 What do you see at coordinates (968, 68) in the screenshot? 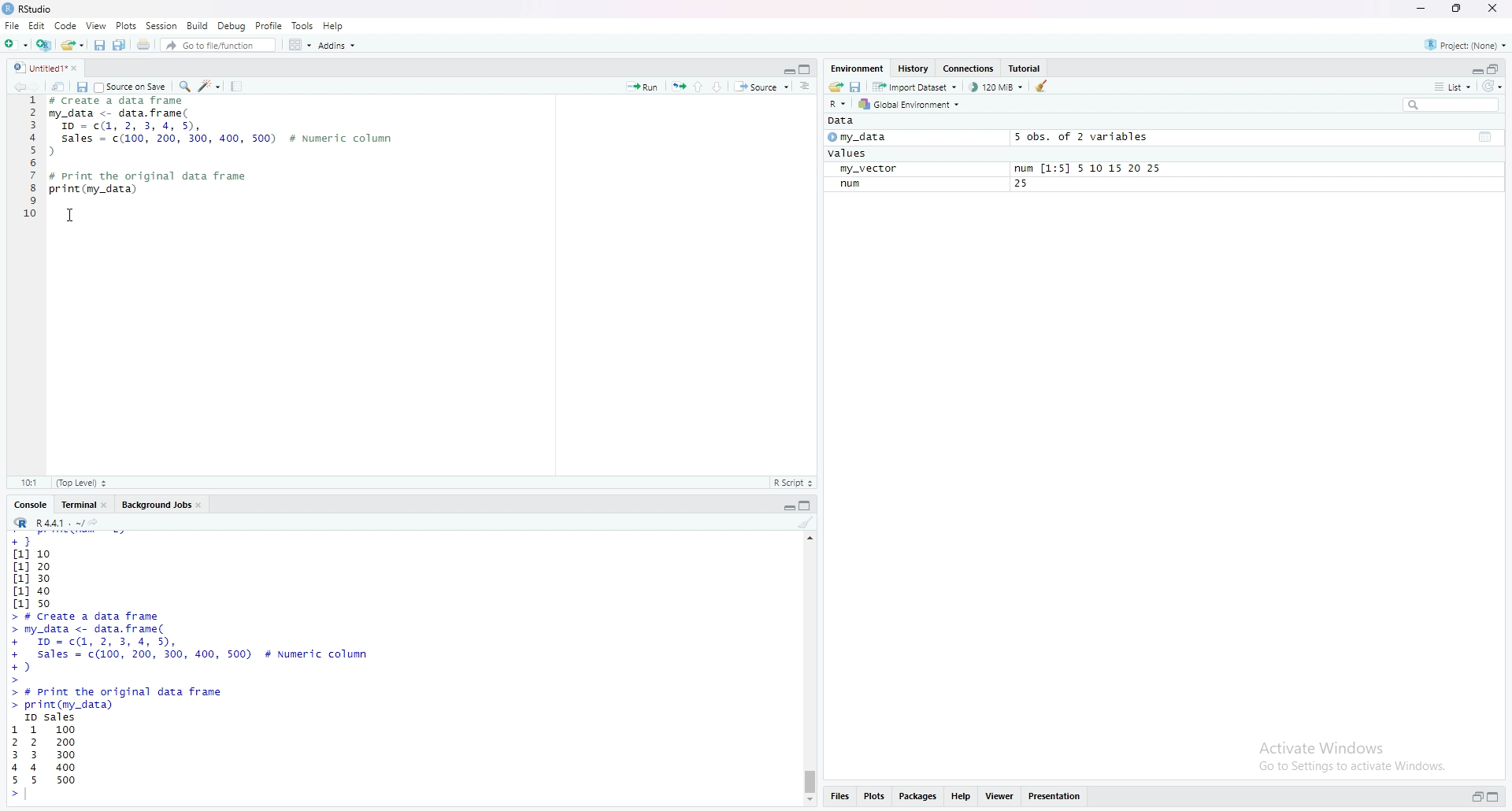
I see `Connections` at bounding box center [968, 68].